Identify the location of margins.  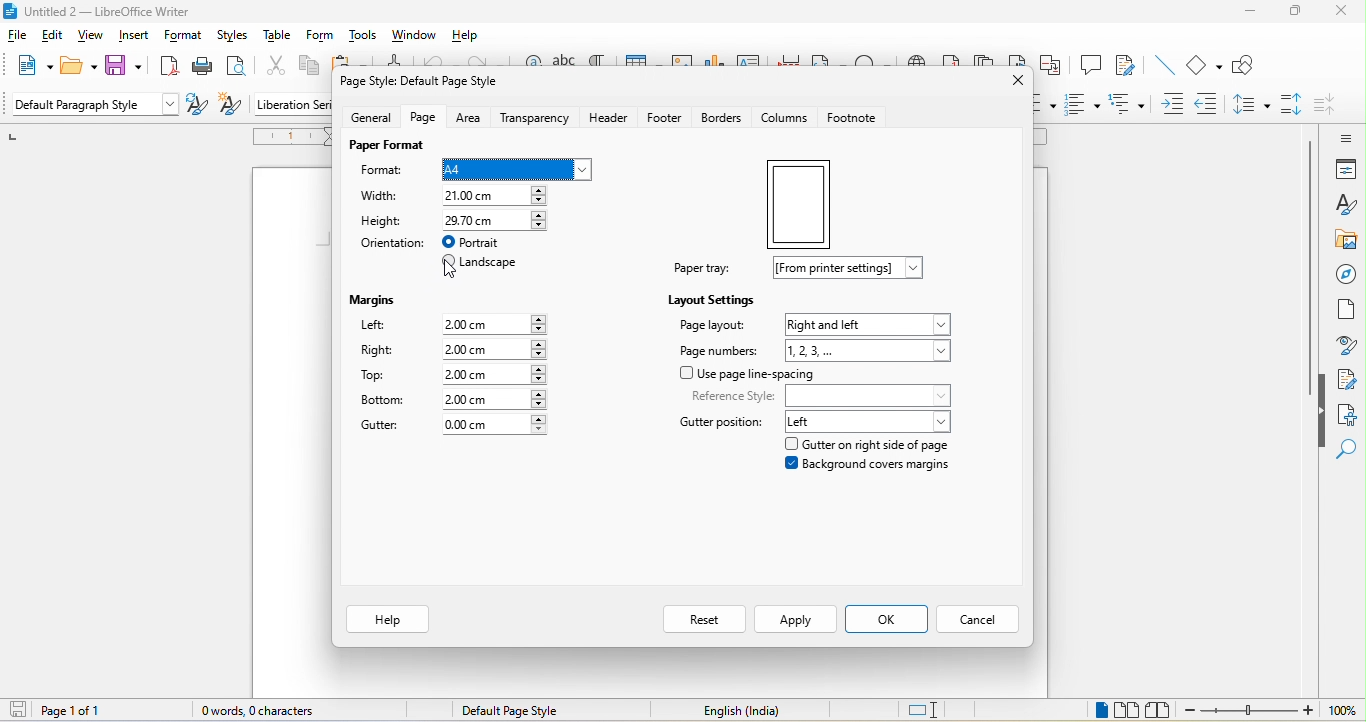
(373, 301).